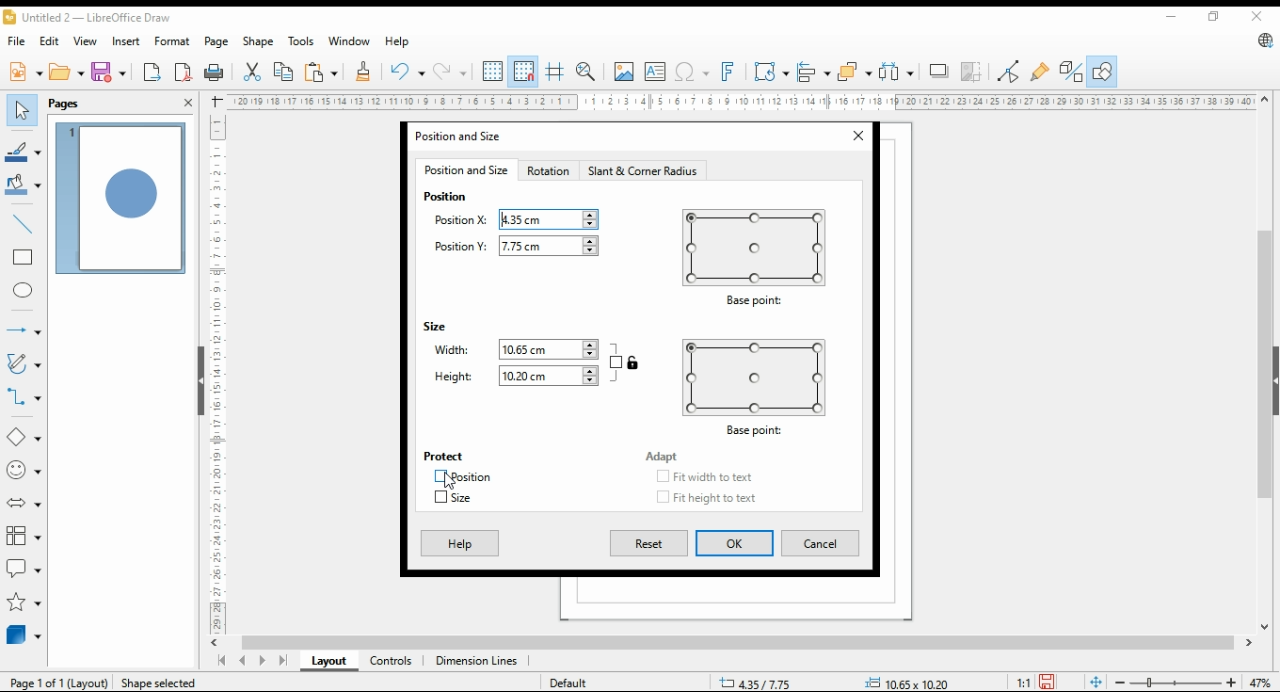 This screenshot has width=1280, height=692. What do you see at coordinates (694, 72) in the screenshot?
I see `insert special characters` at bounding box center [694, 72].